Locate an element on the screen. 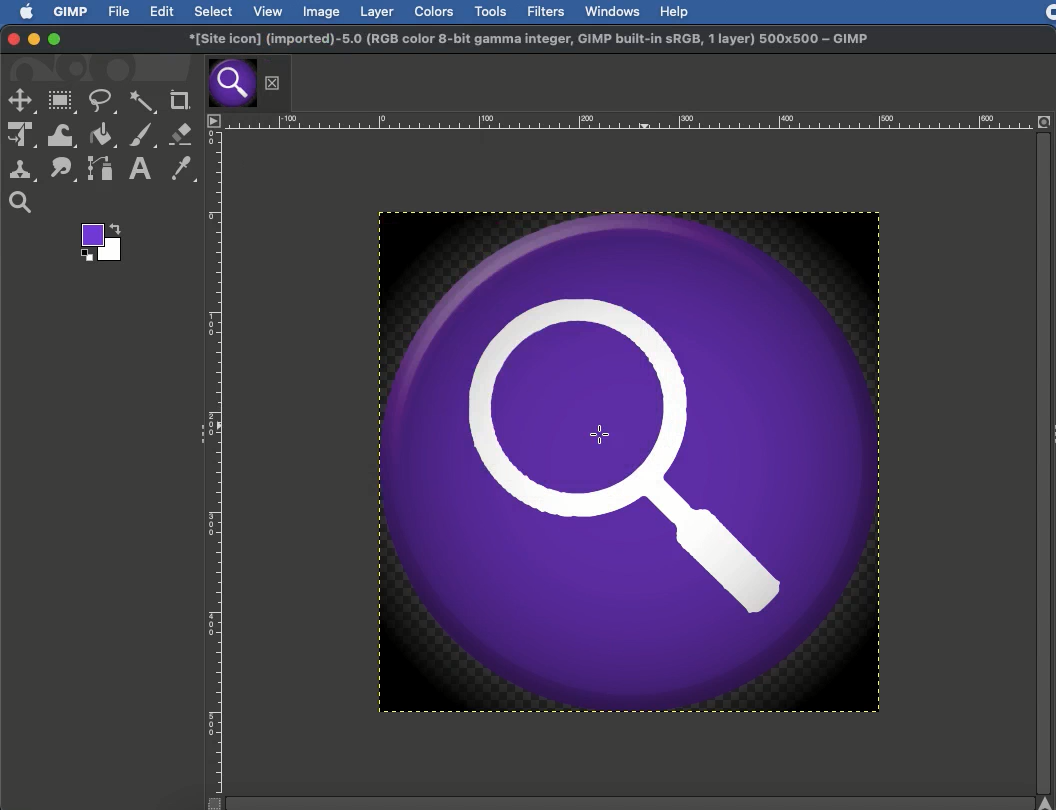  Rectangular selection is located at coordinates (62, 102).